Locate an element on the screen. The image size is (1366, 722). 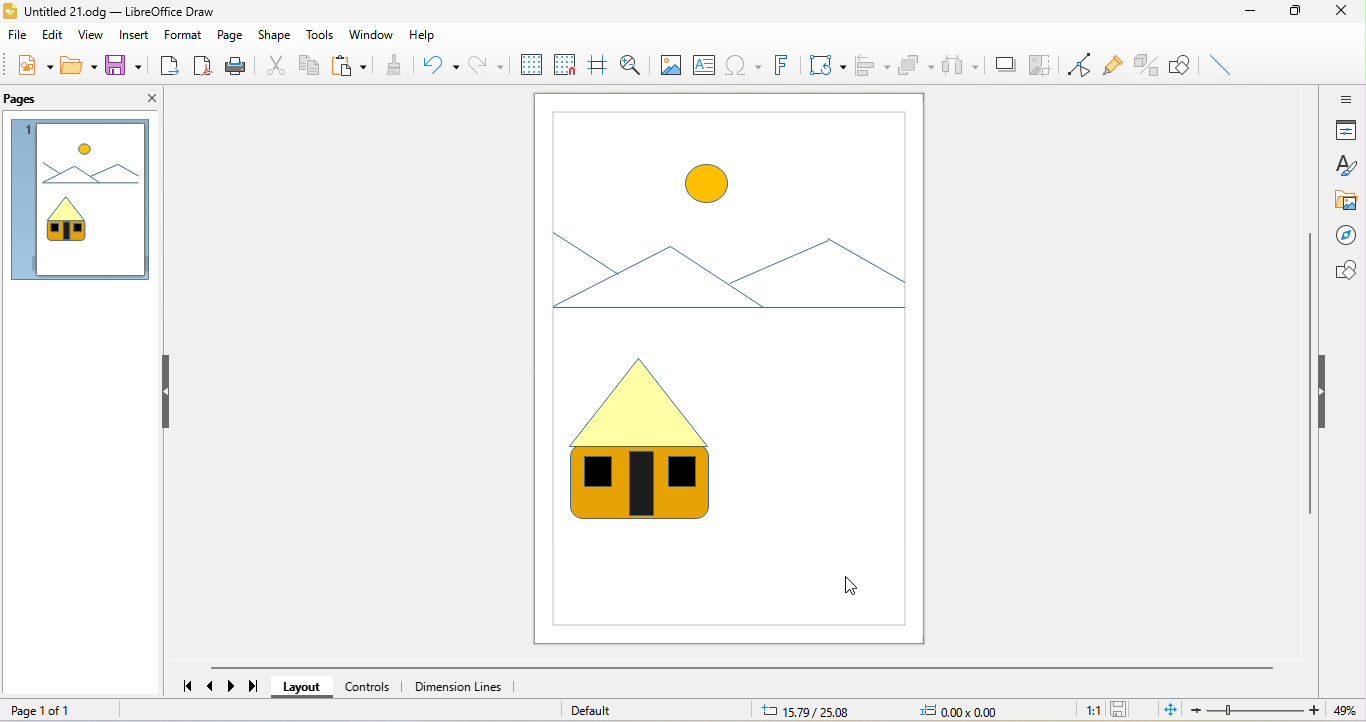
cursor is located at coordinates (855, 584).